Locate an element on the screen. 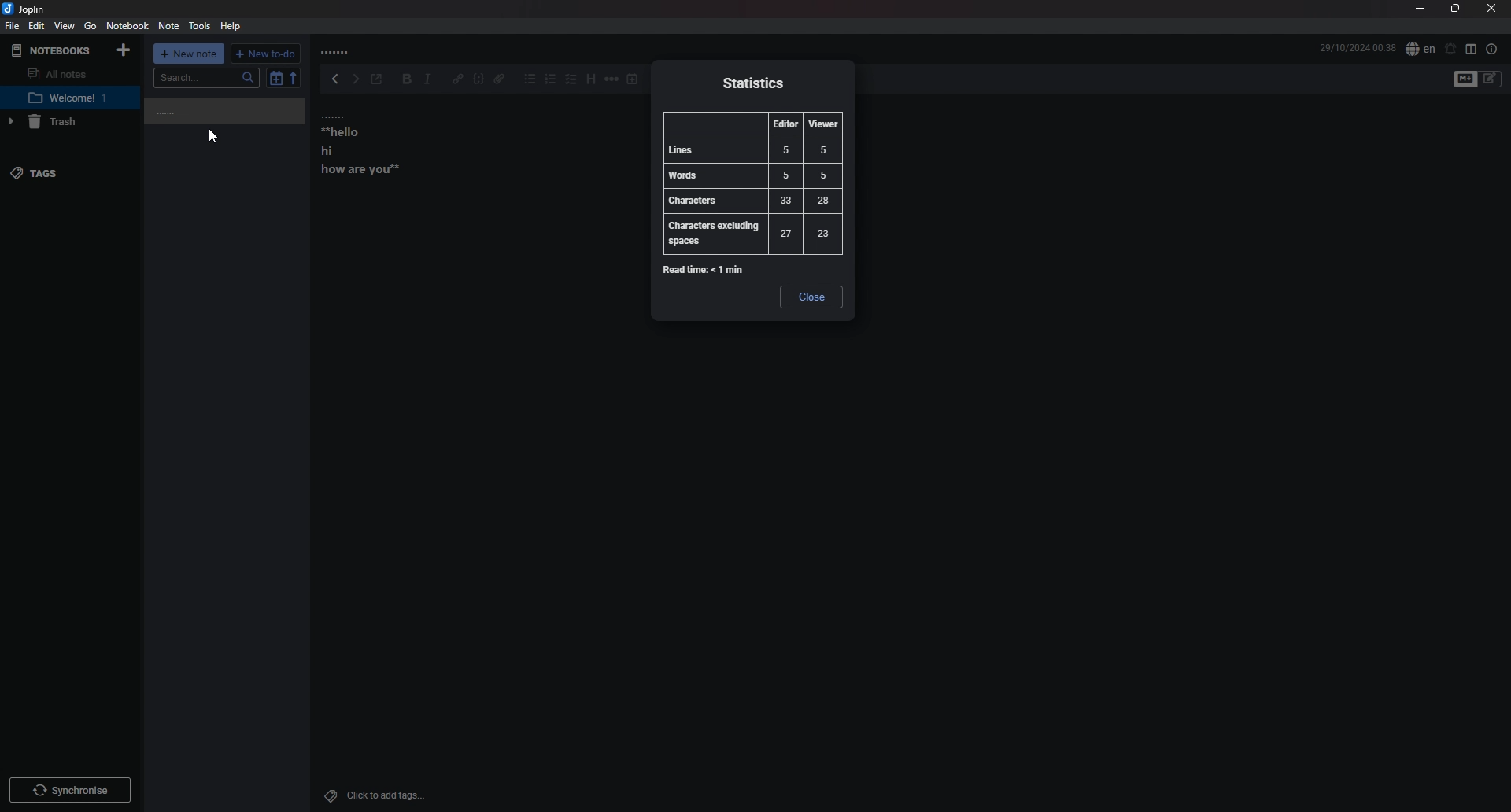  Set language is located at coordinates (1420, 49).